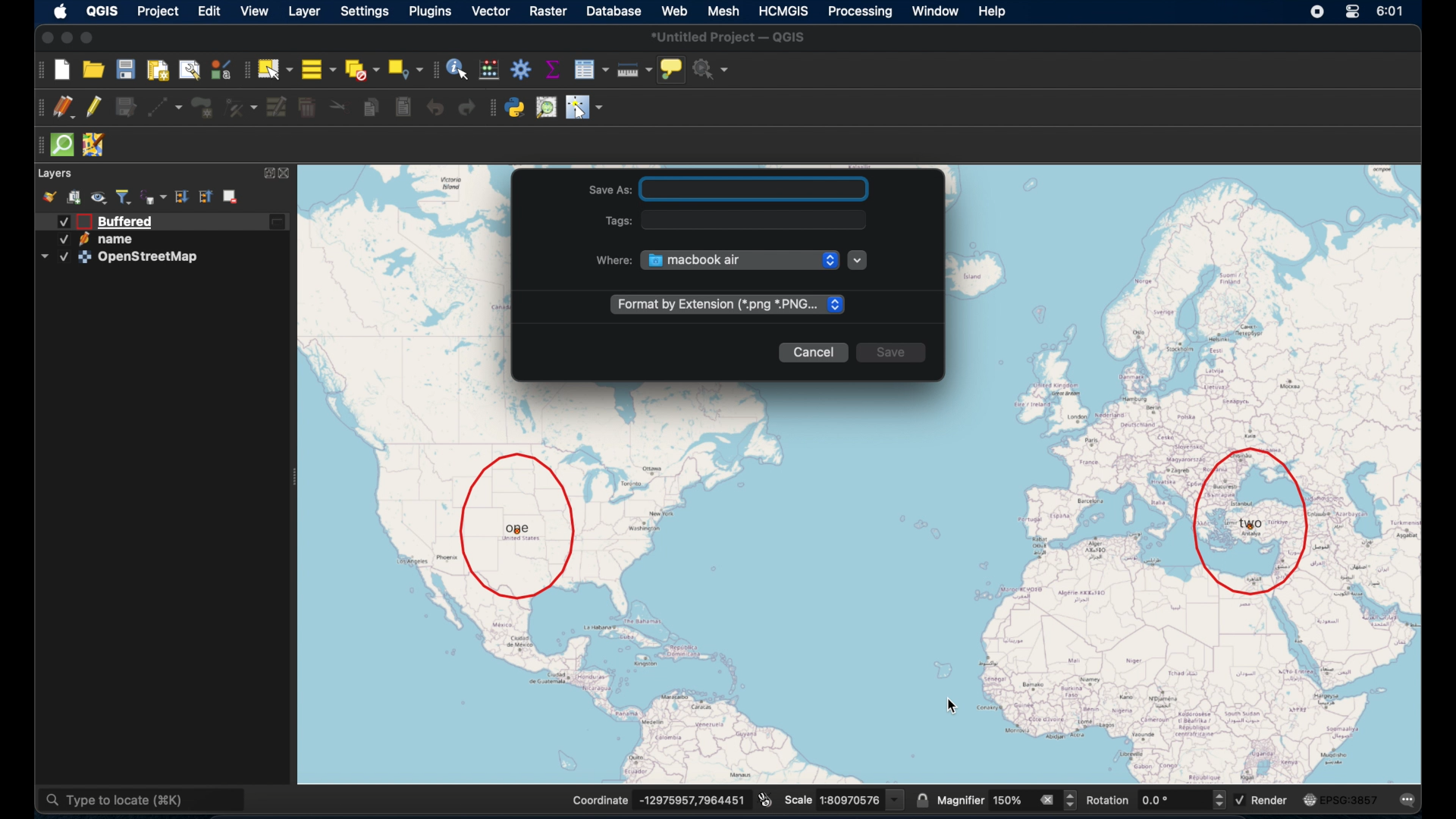  What do you see at coordinates (861, 260) in the screenshot?
I see `dropdown` at bounding box center [861, 260].